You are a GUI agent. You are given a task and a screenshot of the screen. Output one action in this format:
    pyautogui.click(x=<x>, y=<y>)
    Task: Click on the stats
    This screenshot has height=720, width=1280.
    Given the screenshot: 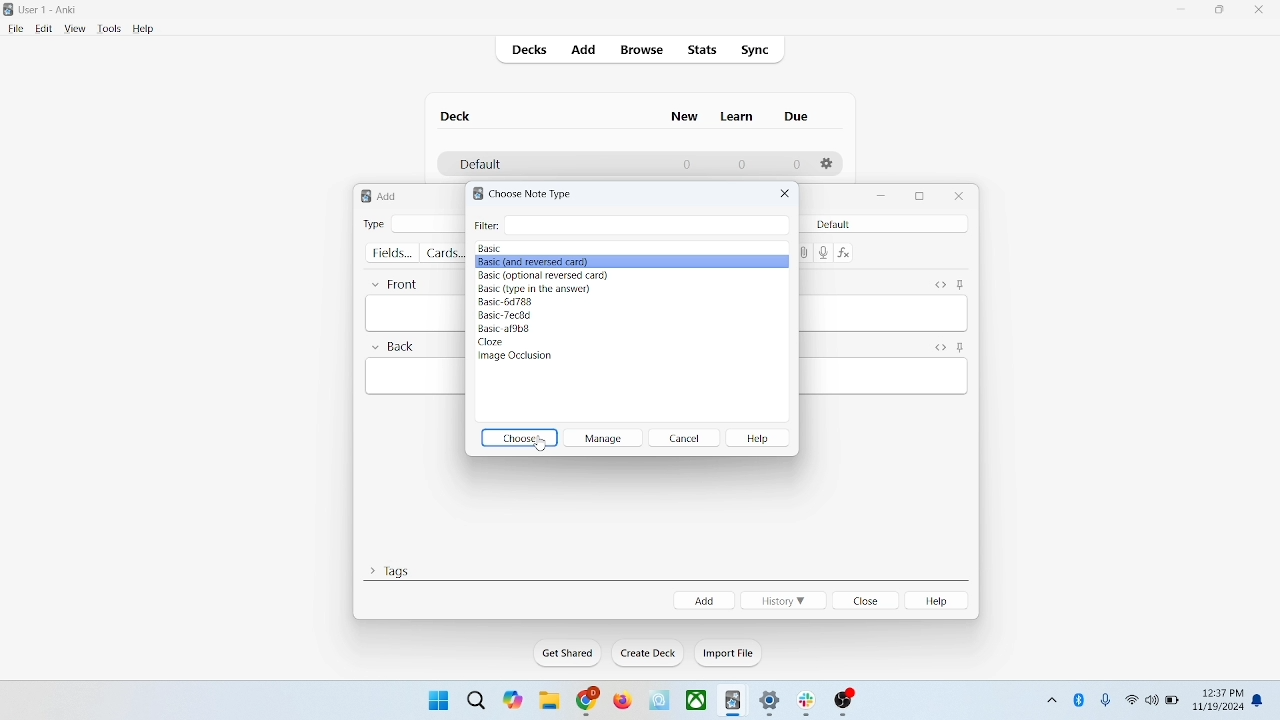 What is the action you would take?
    pyautogui.click(x=701, y=50)
    